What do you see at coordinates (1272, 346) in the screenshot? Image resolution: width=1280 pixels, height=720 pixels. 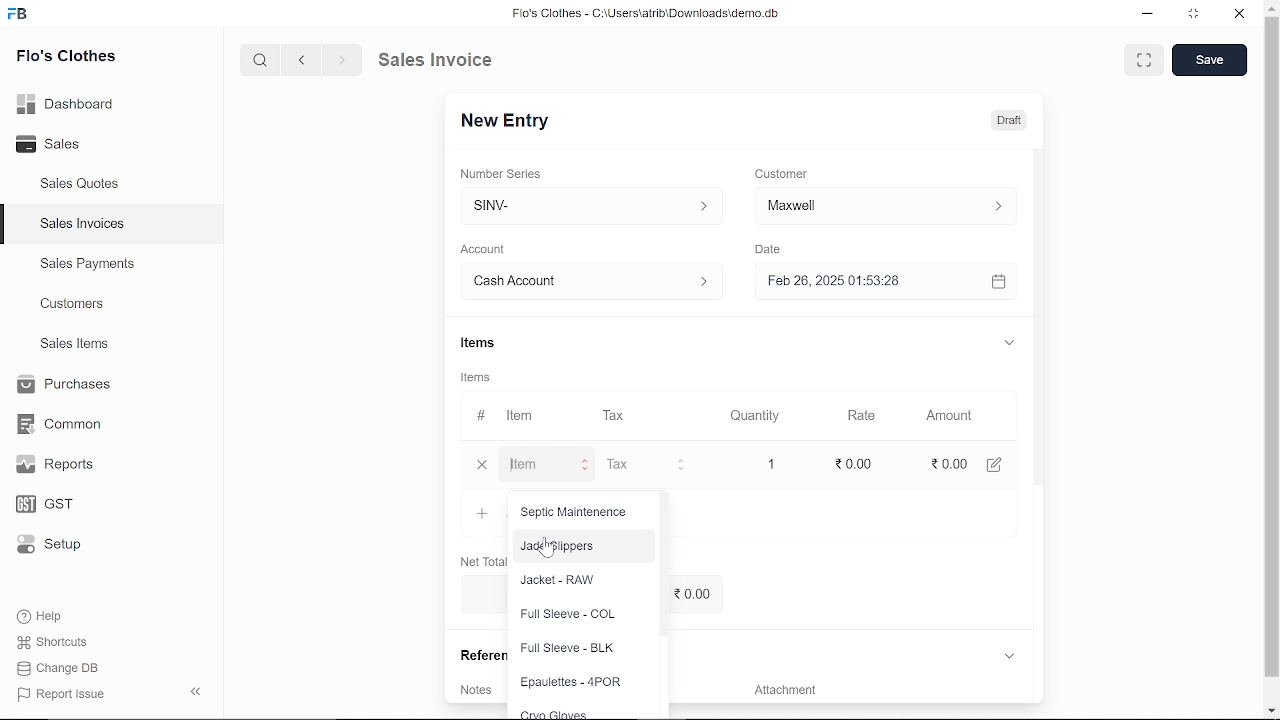 I see `vertical scrollbar` at bounding box center [1272, 346].